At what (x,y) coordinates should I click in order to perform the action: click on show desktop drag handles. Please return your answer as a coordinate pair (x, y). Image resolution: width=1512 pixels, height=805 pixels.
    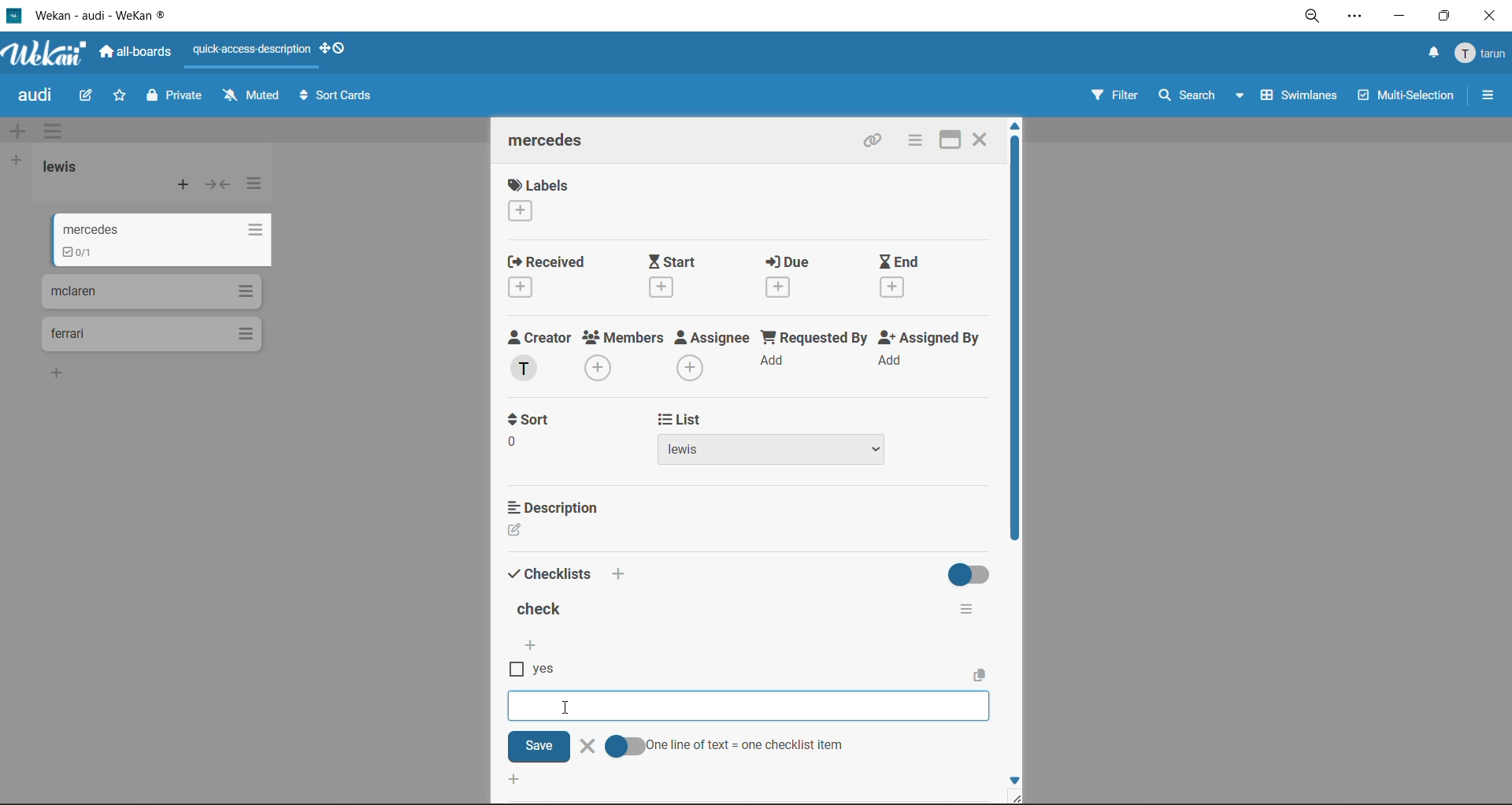
    Looking at the image, I should click on (339, 48).